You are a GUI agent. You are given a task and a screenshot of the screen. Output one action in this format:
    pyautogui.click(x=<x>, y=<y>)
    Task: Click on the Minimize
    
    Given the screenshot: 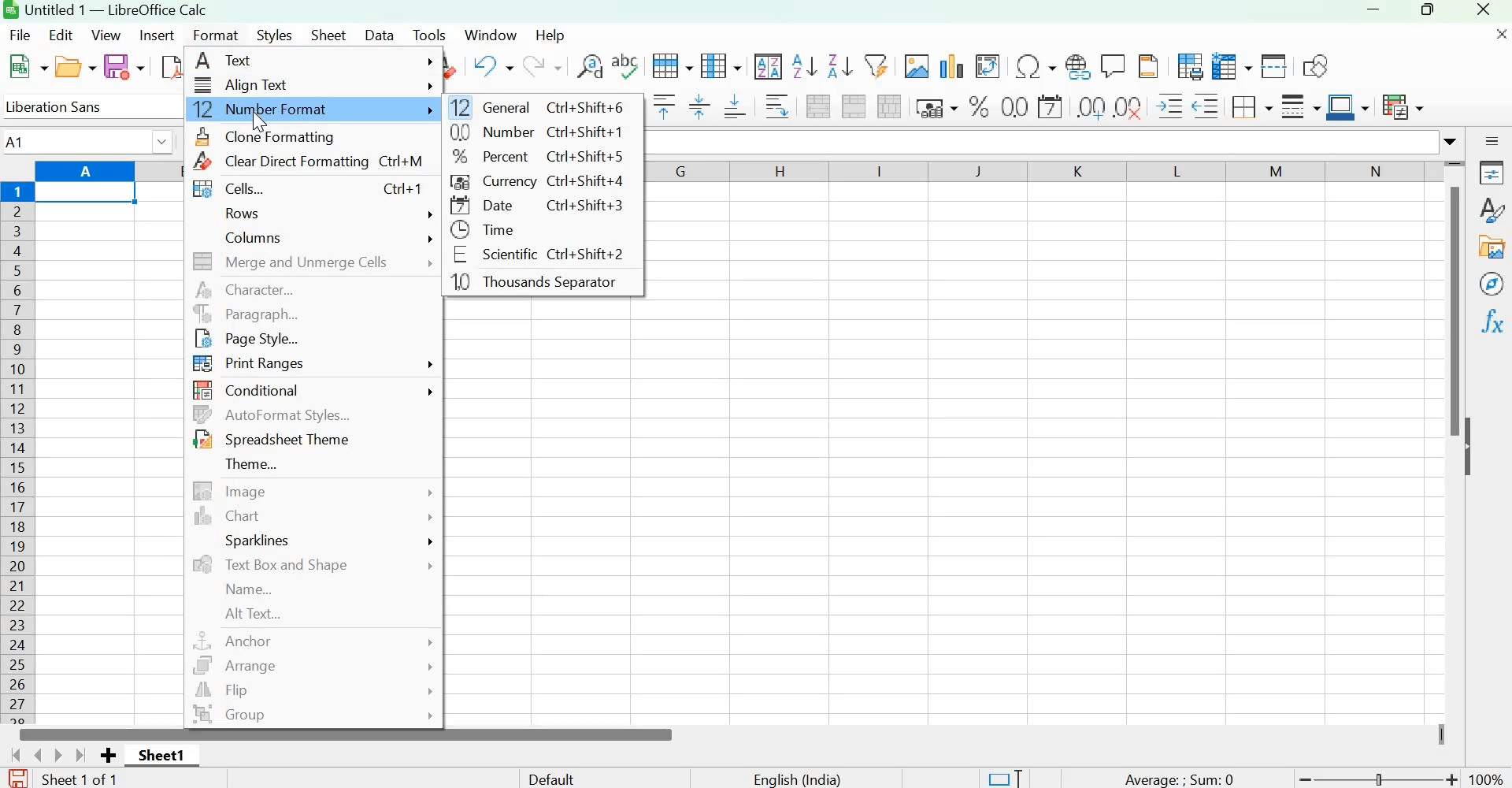 What is the action you would take?
    pyautogui.click(x=1373, y=13)
    